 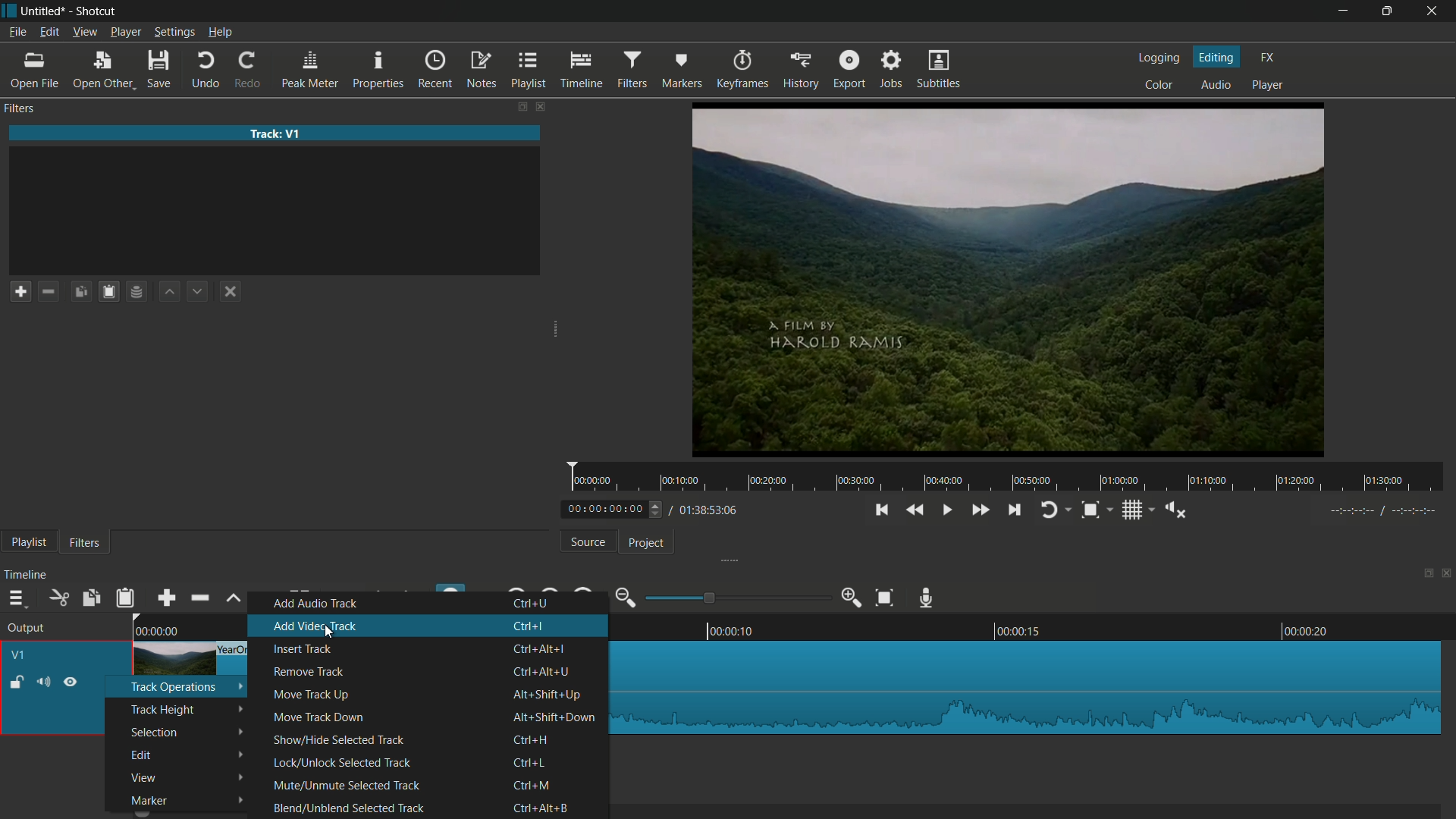 I want to click on timeline menu, so click(x=15, y=598).